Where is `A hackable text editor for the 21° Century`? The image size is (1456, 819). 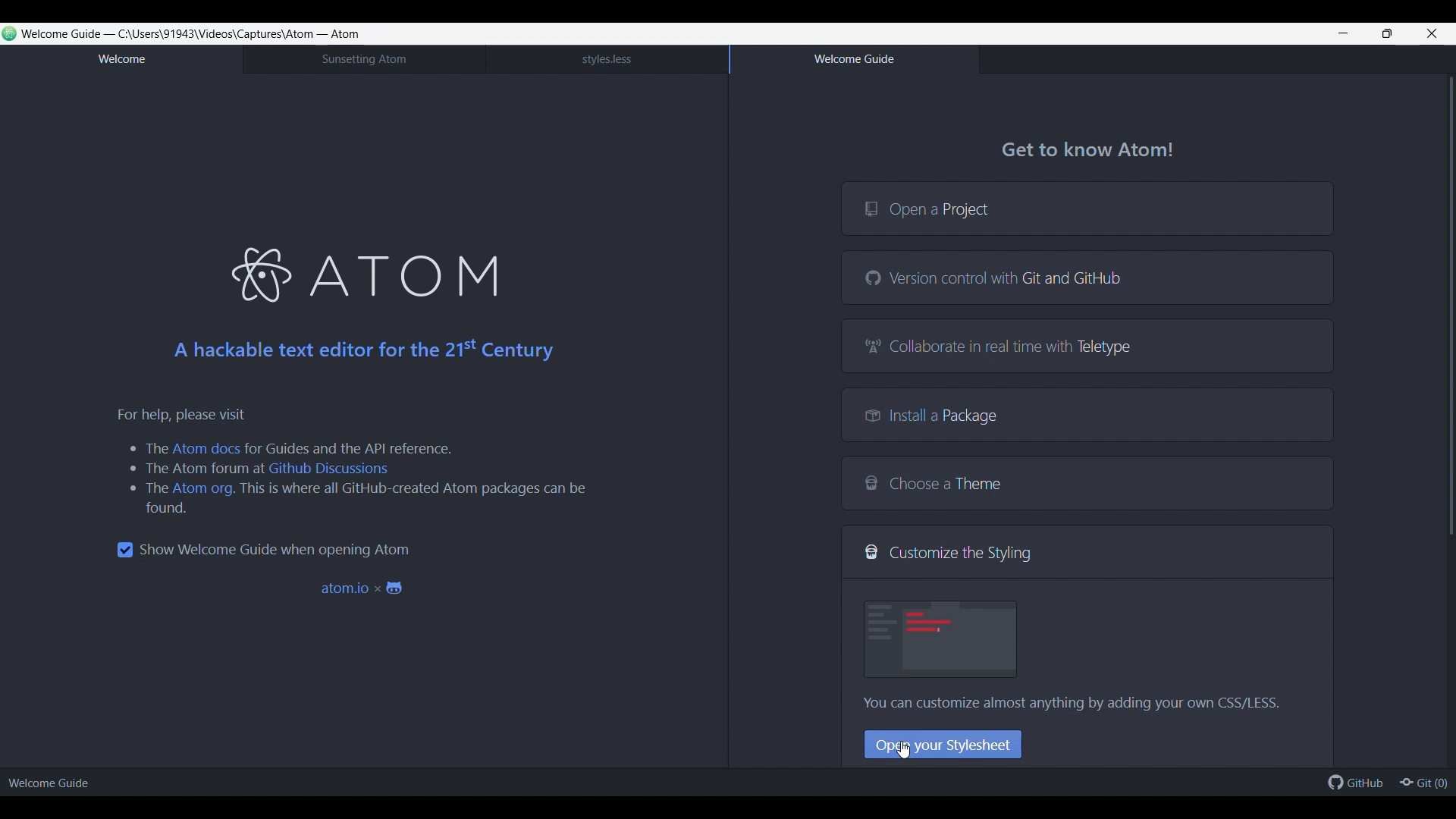
A hackable text editor for the 21° Century is located at coordinates (358, 354).